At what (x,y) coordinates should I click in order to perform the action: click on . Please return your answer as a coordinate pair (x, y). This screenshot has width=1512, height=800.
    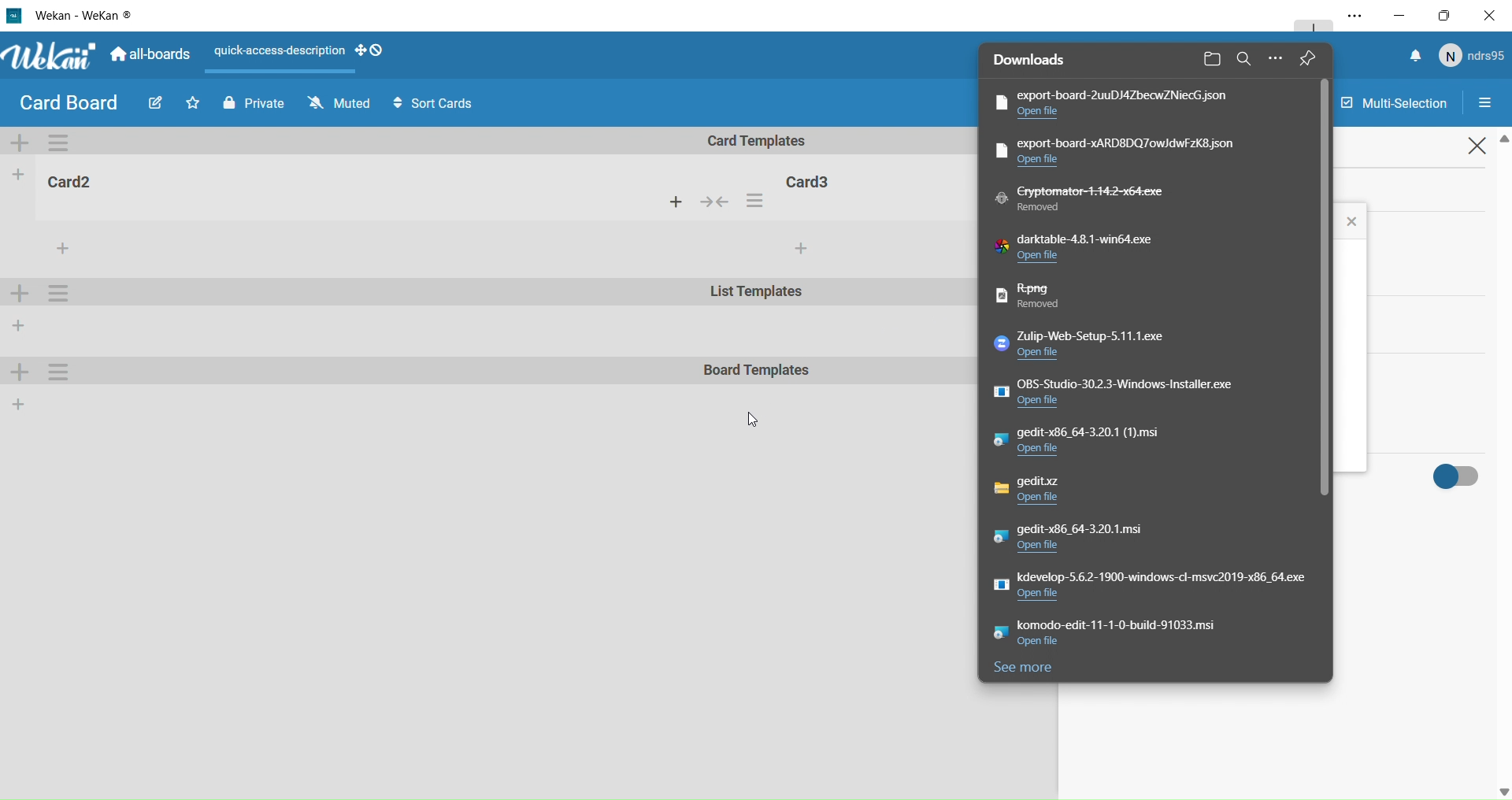
    Looking at the image, I should click on (1415, 58).